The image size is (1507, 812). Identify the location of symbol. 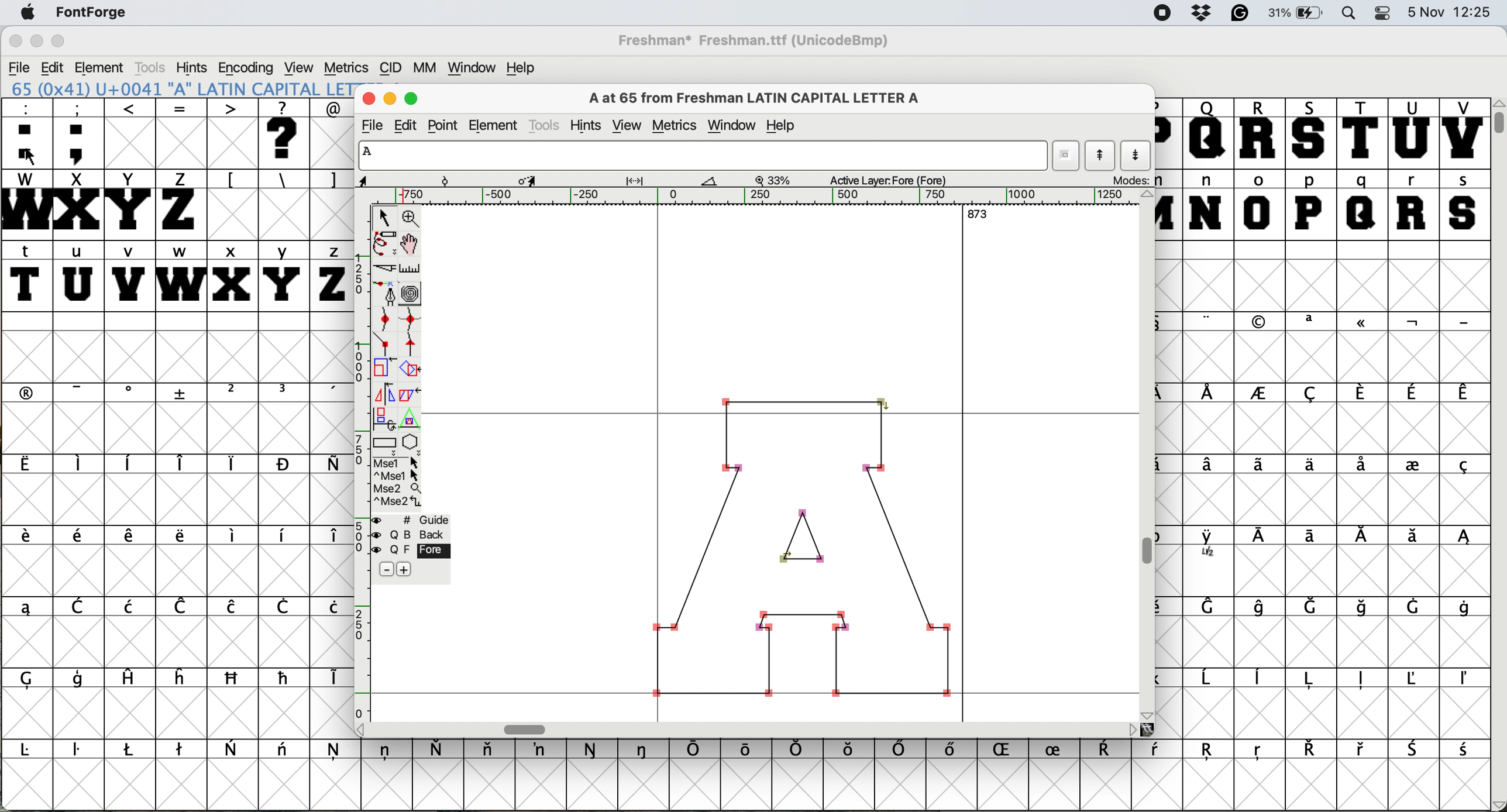
(1412, 606).